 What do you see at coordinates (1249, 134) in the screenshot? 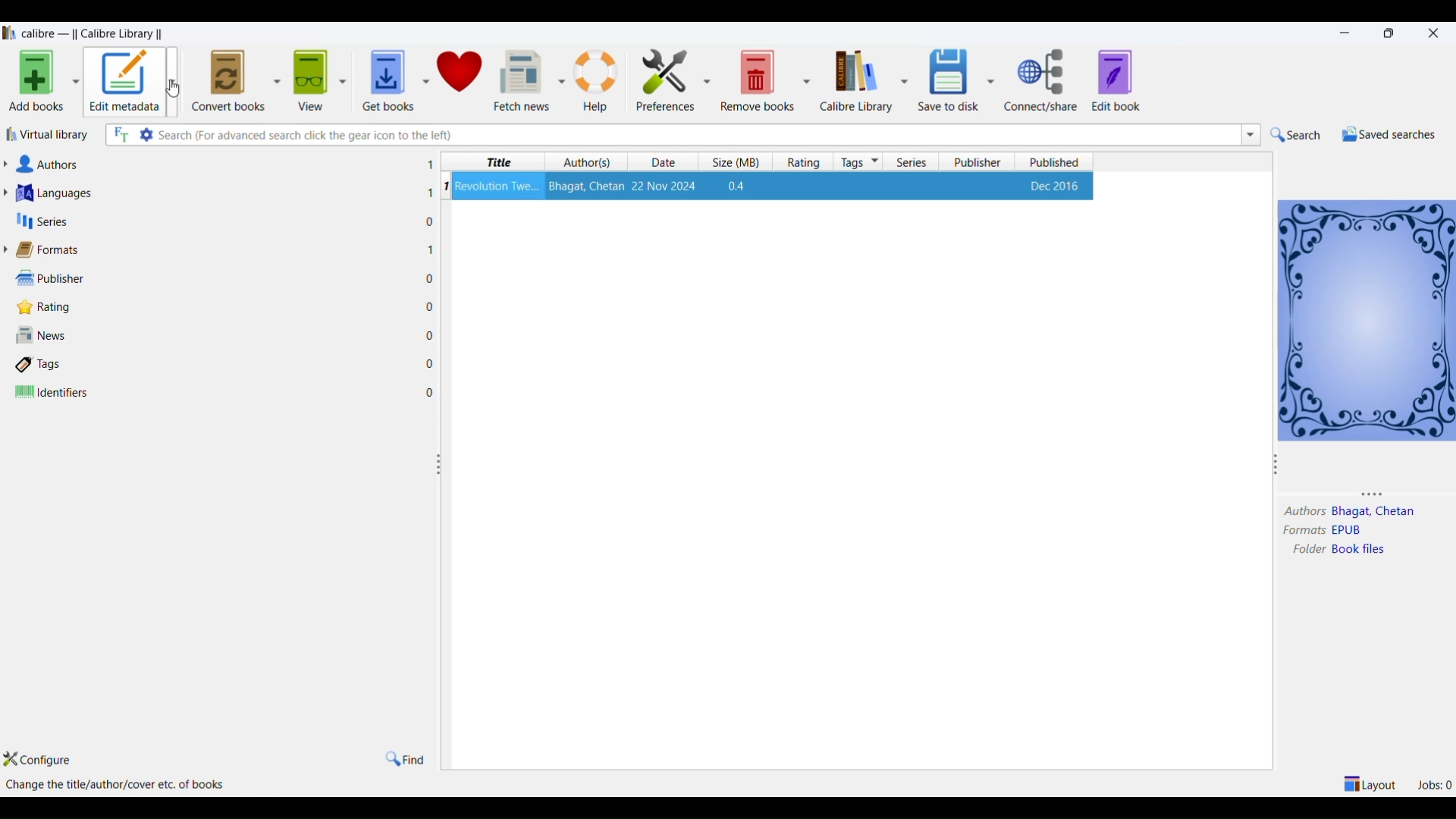
I see `search dropdown button` at bounding box center [1249, 134].